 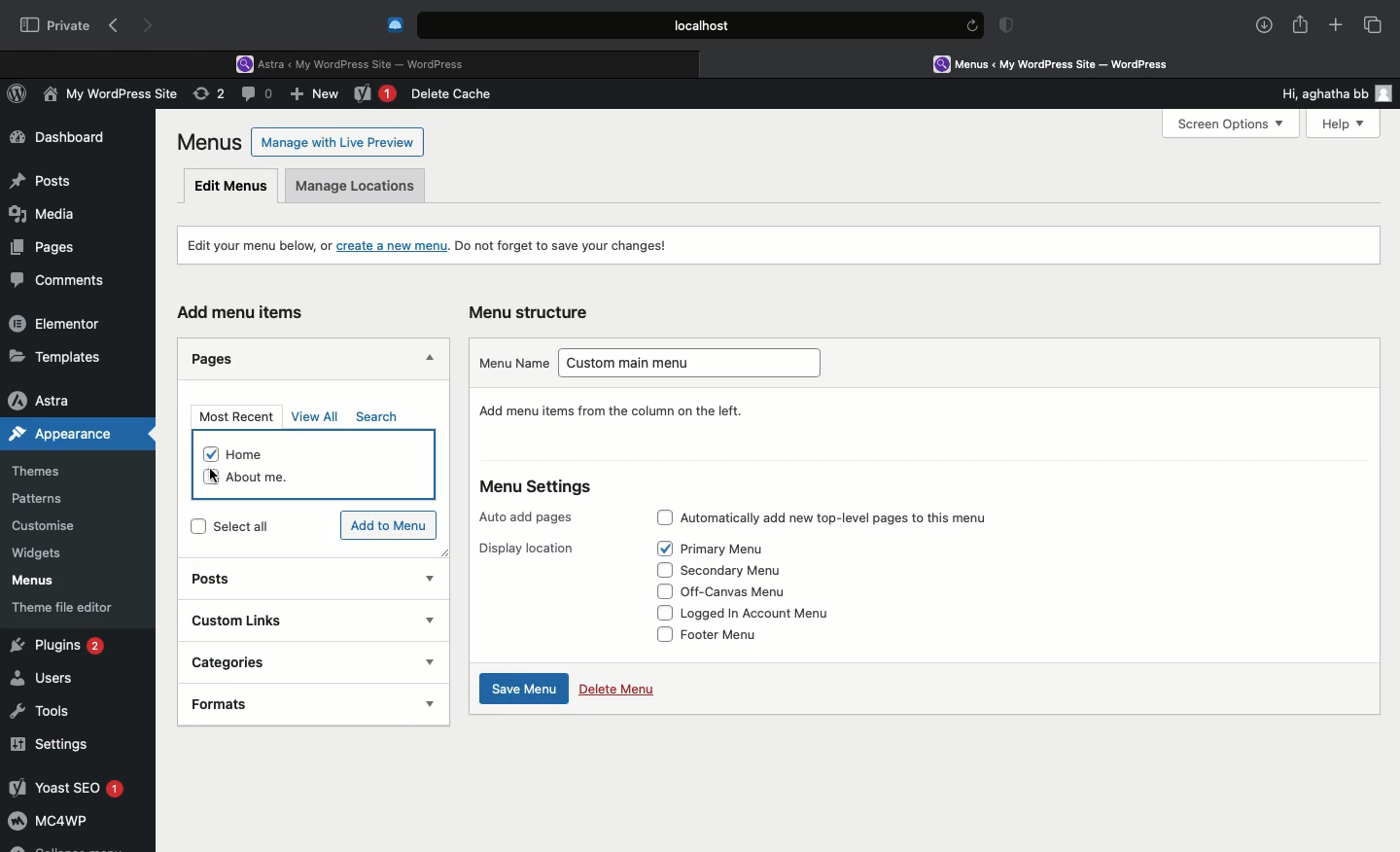 I want to click on user icon, so click(x=1387, y=93).